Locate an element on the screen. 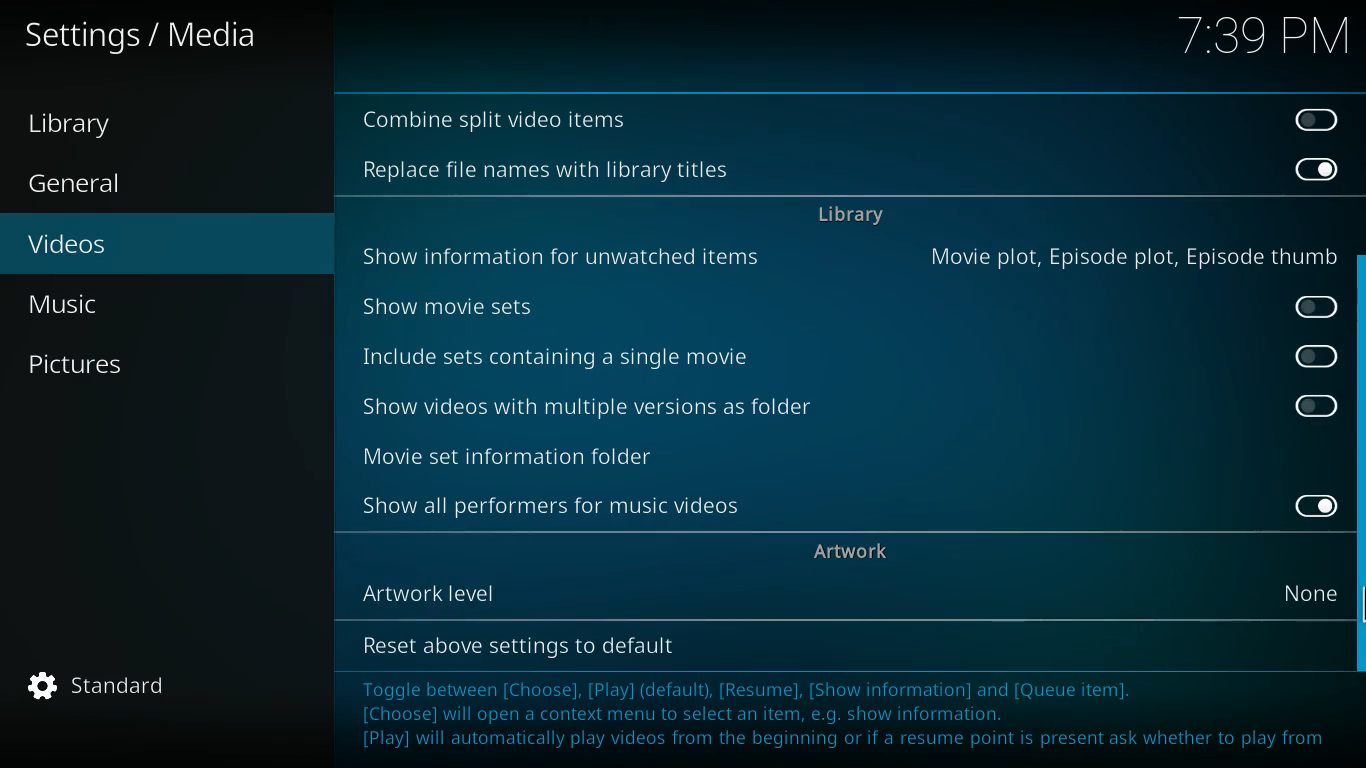  videos is located at coordinates (150, 246).